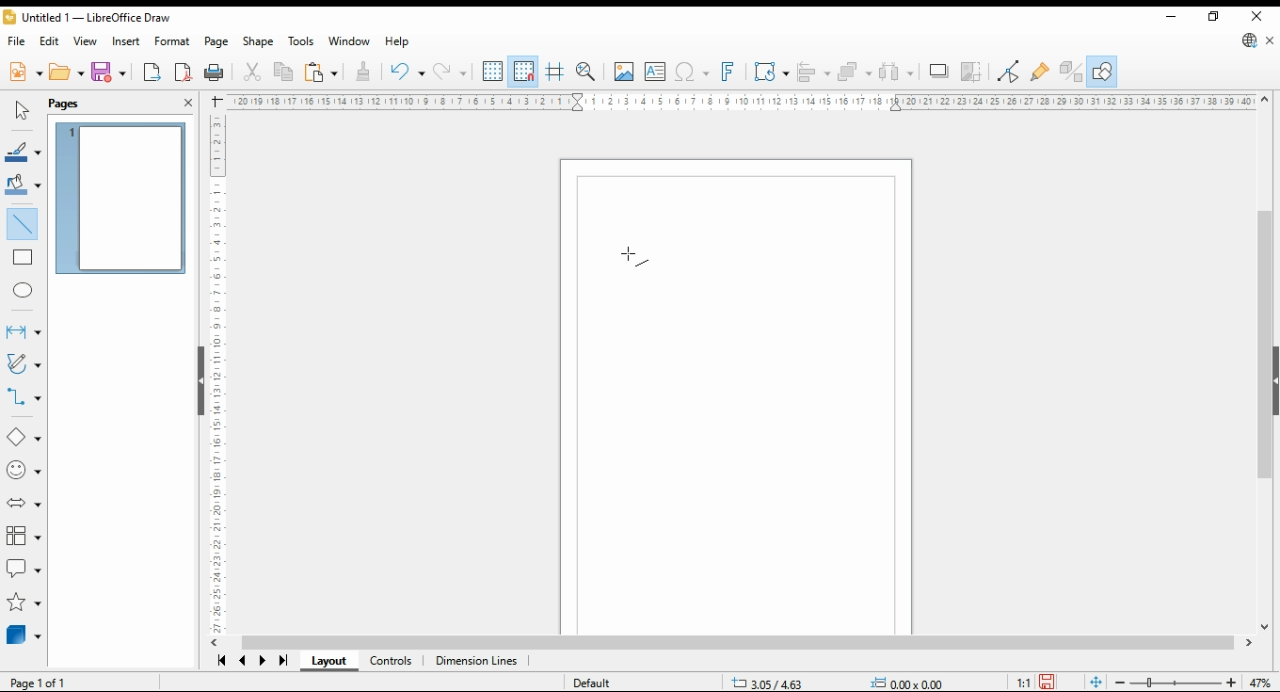  What do you see at coordinates (26, 227) in the screenshot?
I see `insert line` at bounding box center [26, 227].